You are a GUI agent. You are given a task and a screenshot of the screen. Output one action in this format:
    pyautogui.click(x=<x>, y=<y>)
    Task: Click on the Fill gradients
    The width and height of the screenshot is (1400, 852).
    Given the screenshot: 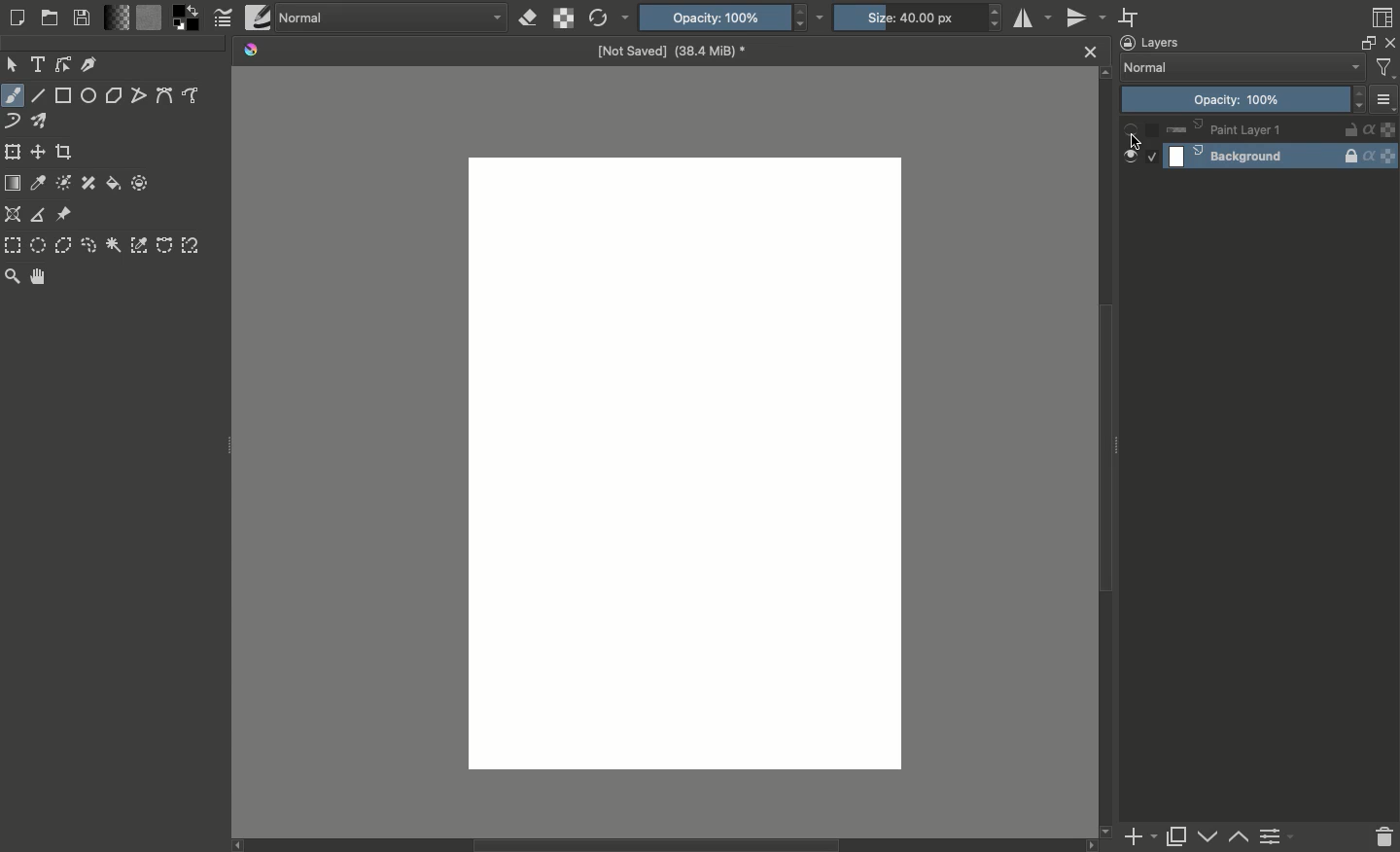 What is the action you would take?
    pyautogui.click(x=118, y=18)
    